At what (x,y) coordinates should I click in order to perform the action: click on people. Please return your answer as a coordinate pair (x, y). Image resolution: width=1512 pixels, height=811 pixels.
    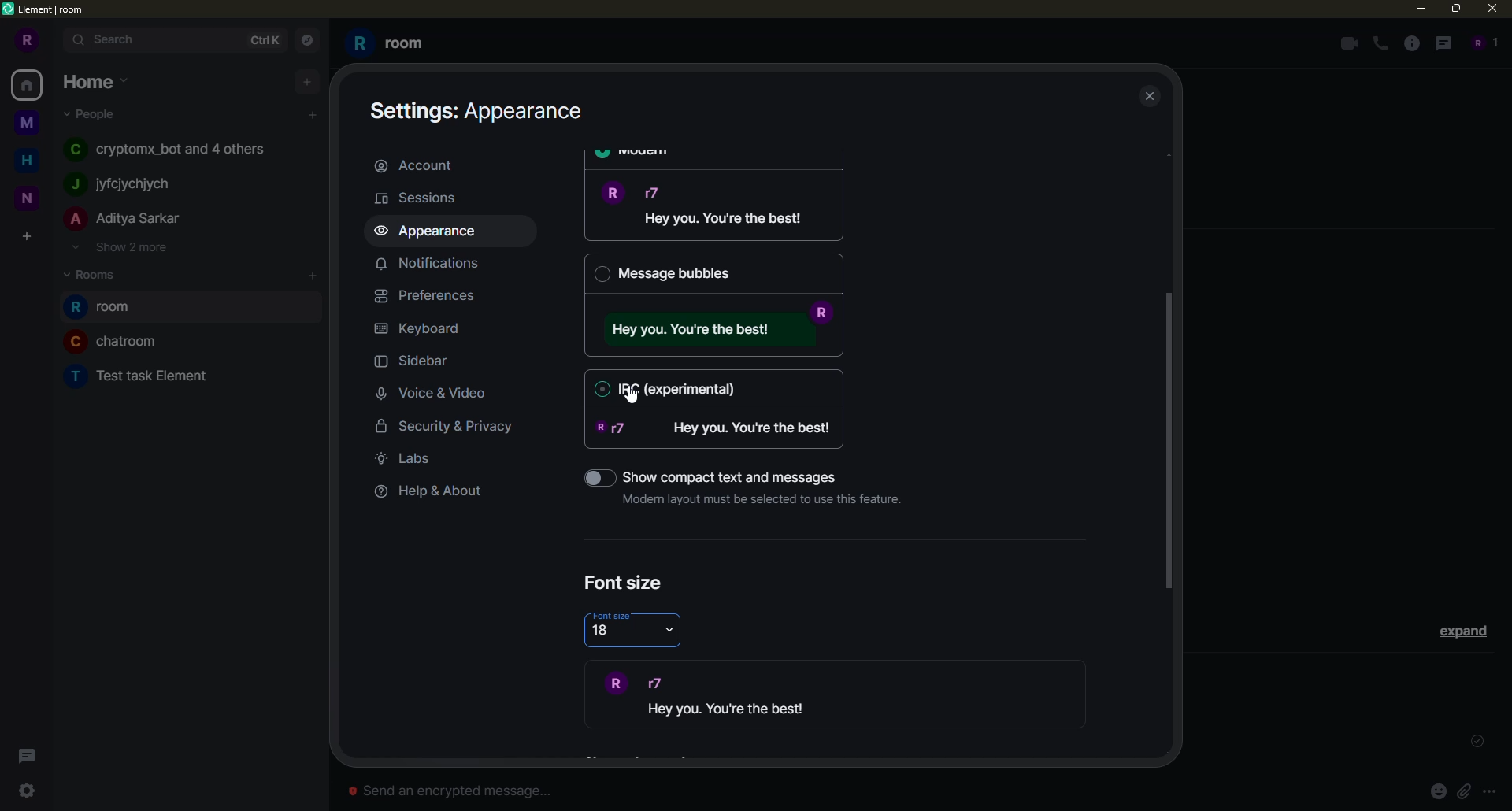
    Looking at the image, I should click on (163, 148).